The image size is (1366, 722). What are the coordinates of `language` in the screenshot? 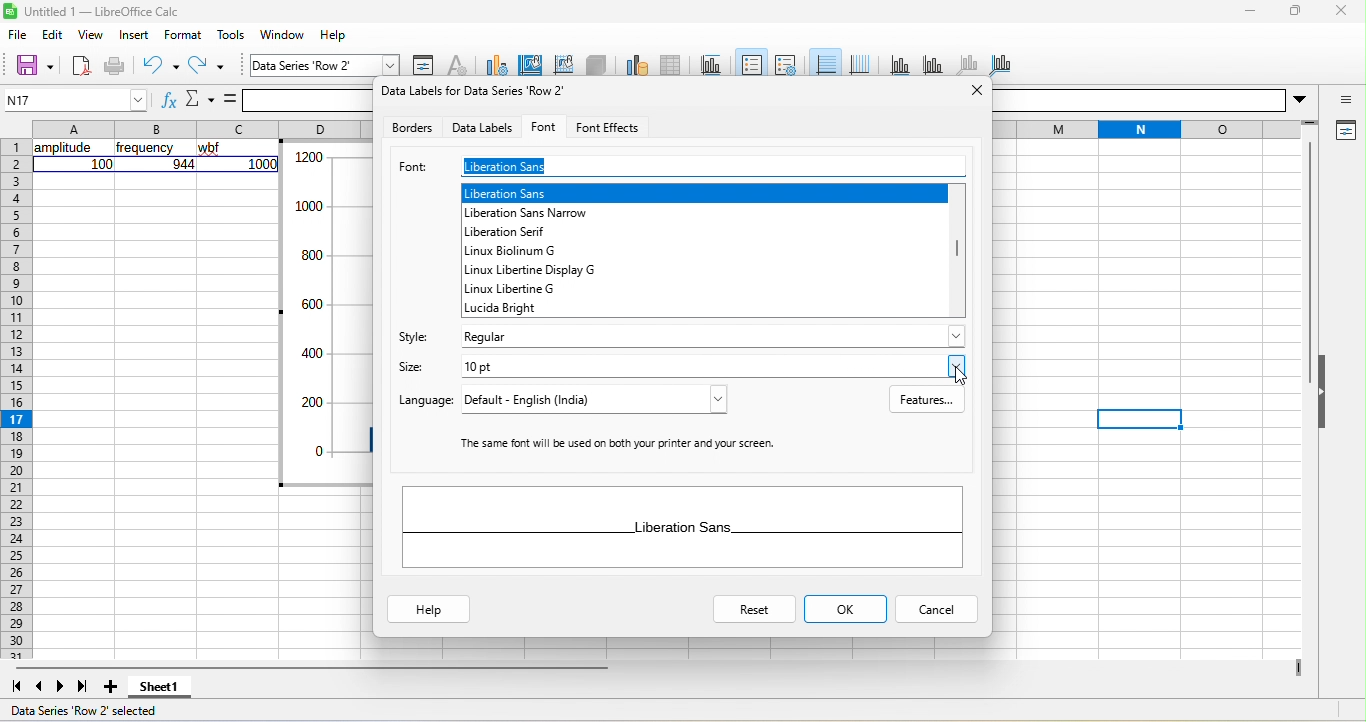 It's located at (426, 403).